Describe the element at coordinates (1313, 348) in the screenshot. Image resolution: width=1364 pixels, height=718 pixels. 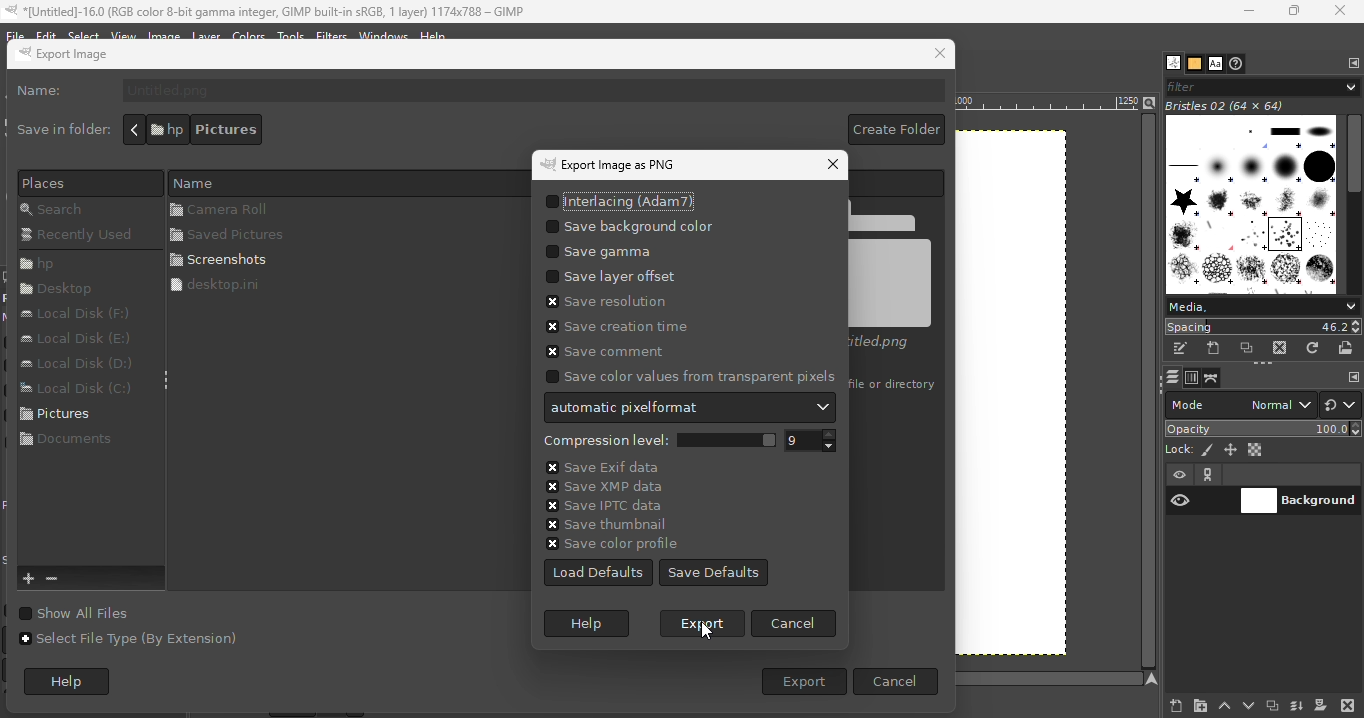
I see `Refresh brushes` at that location.